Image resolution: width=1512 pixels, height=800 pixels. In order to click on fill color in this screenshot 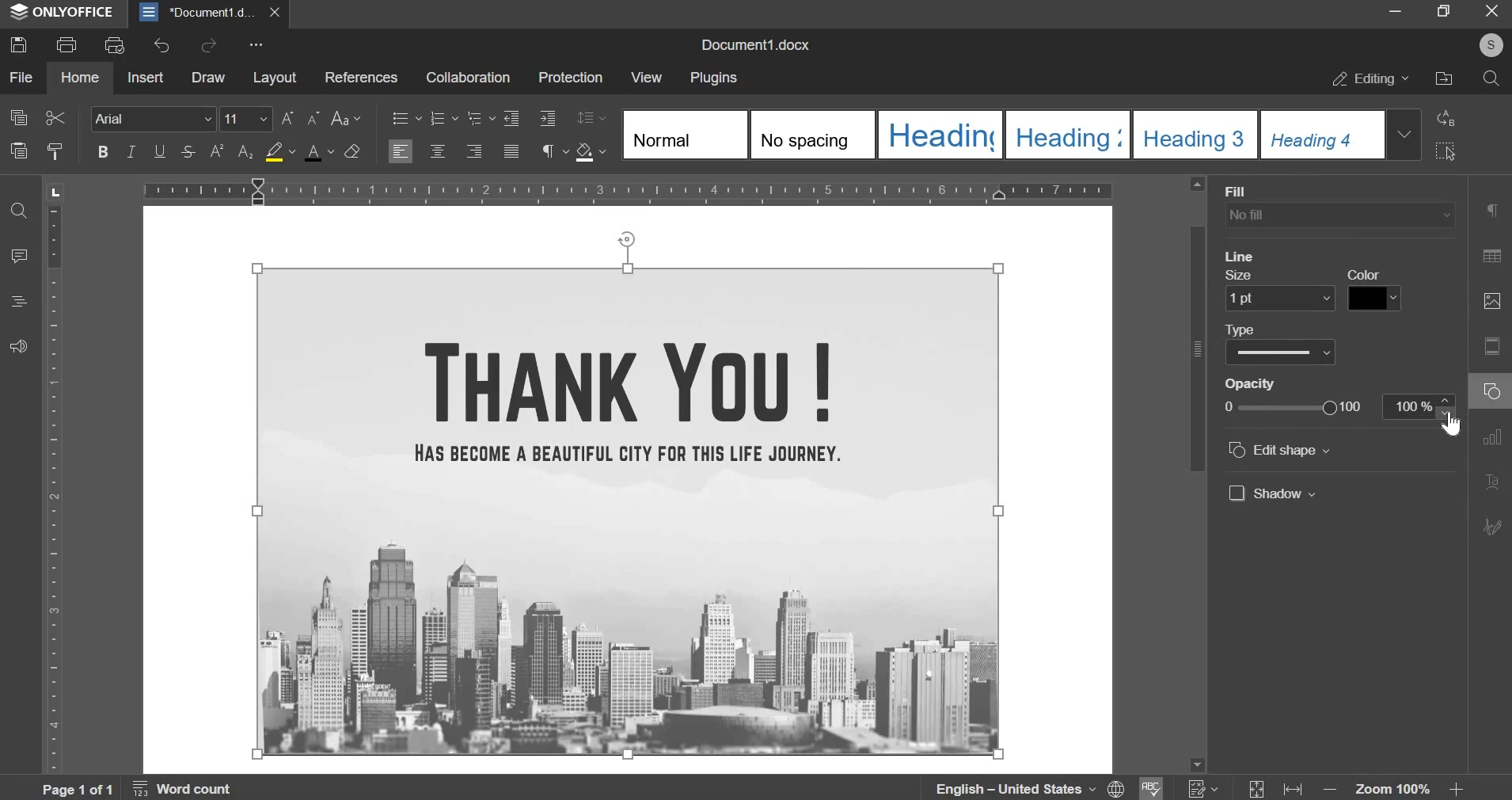, I will do `click(281, 150)`.